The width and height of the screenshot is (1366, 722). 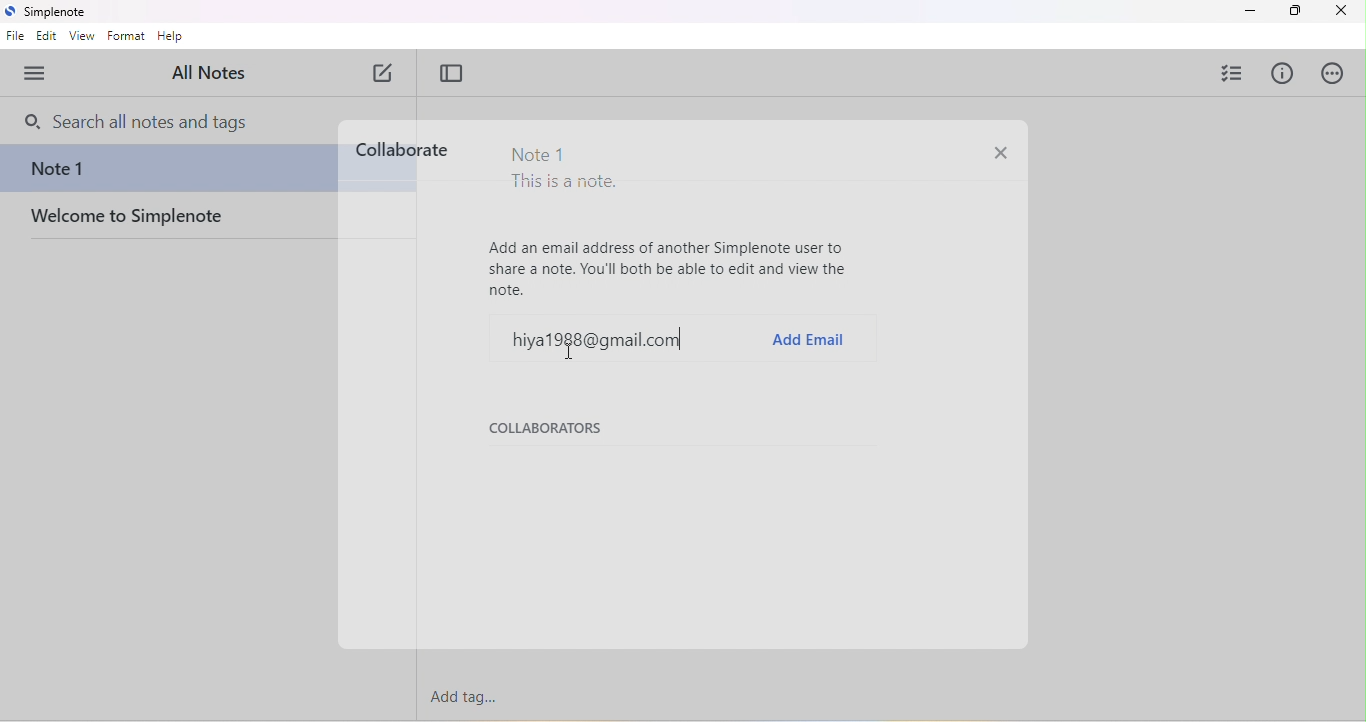 I want to click on add email, so click(x=808, y=339).